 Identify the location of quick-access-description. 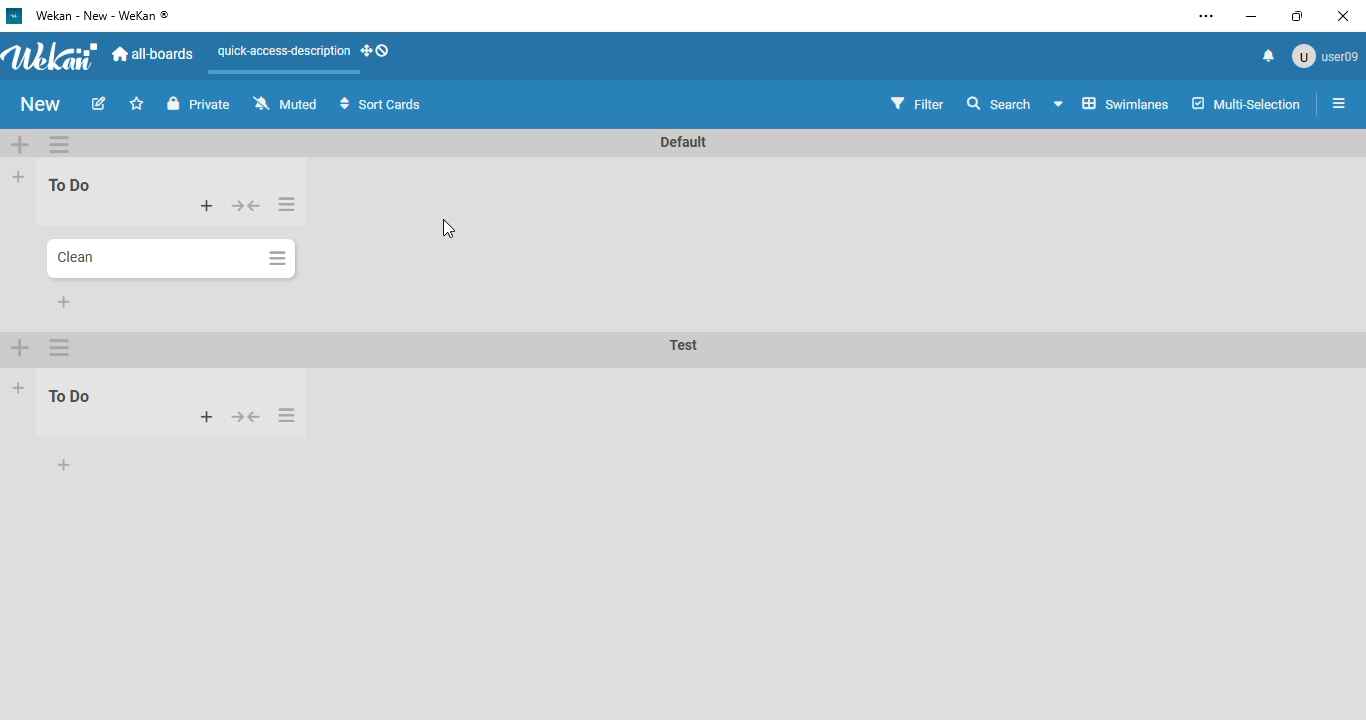
(283, 51).